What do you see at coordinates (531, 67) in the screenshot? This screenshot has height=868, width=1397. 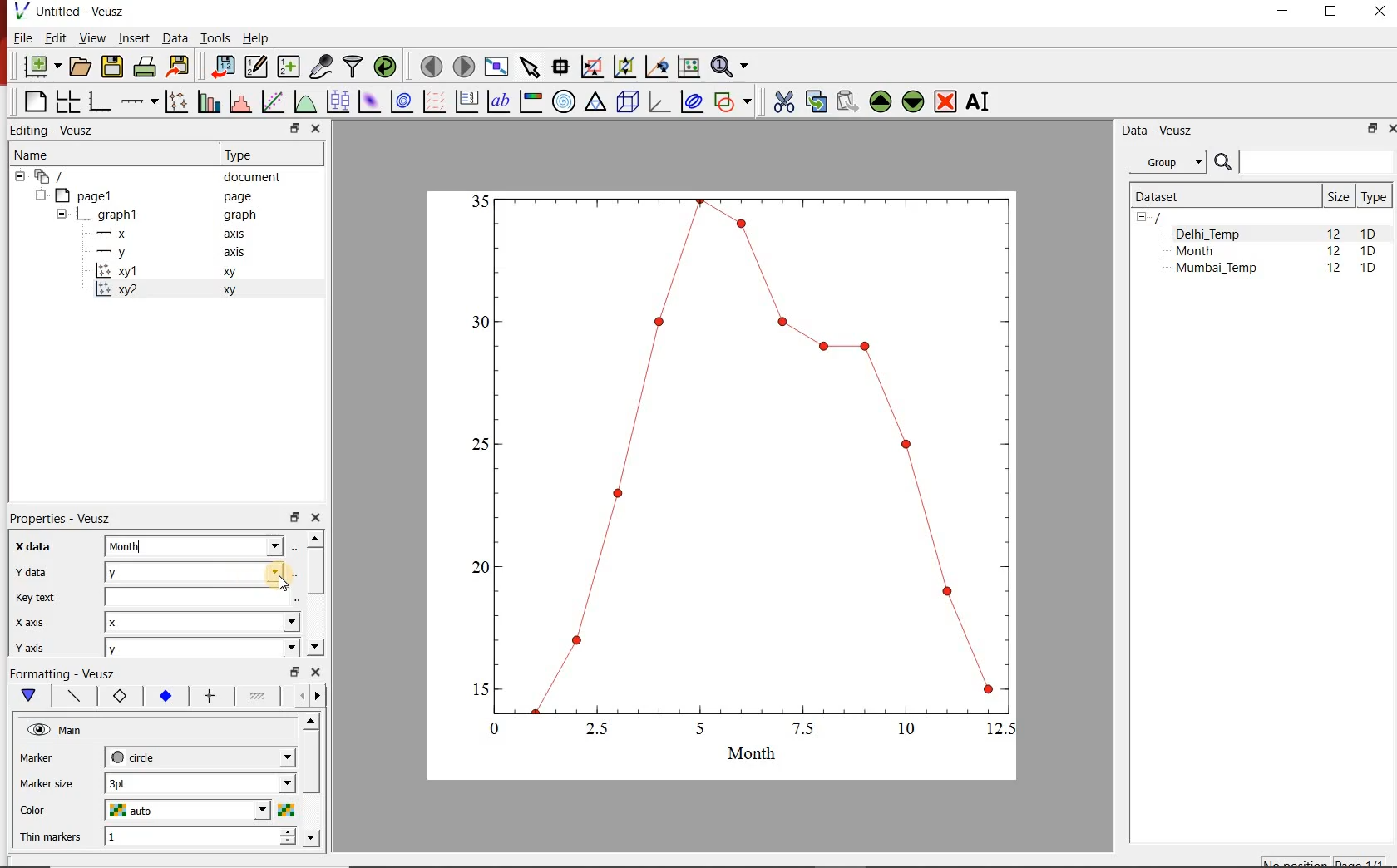 I see `select items from the graph or scroll` at bounding box center [531, 67].